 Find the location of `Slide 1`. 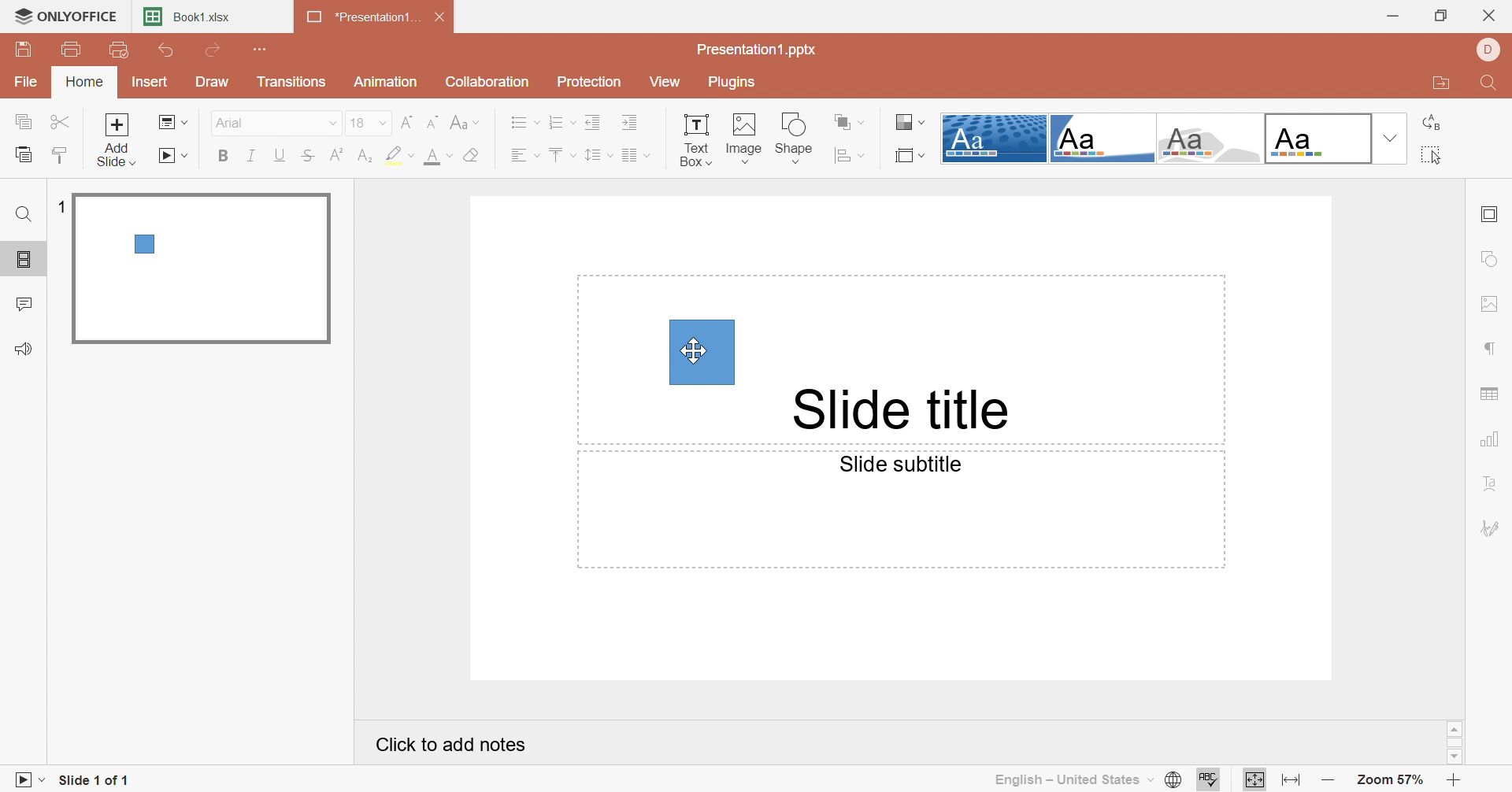

Slide 1 is located at coordinates (205, 268).